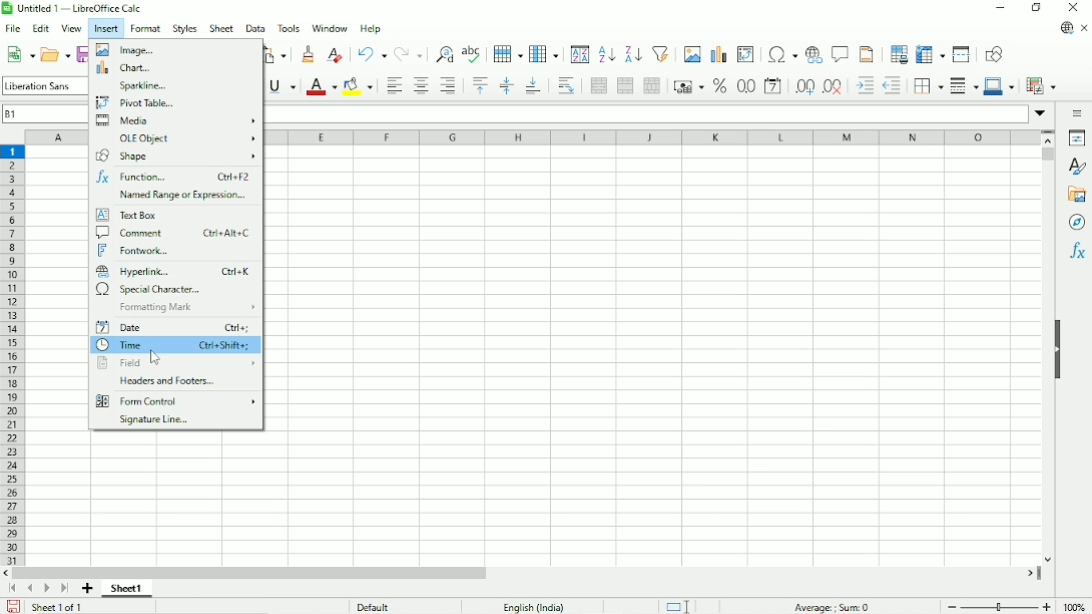  I want to click on Unmerge cells, so click(652, 86).